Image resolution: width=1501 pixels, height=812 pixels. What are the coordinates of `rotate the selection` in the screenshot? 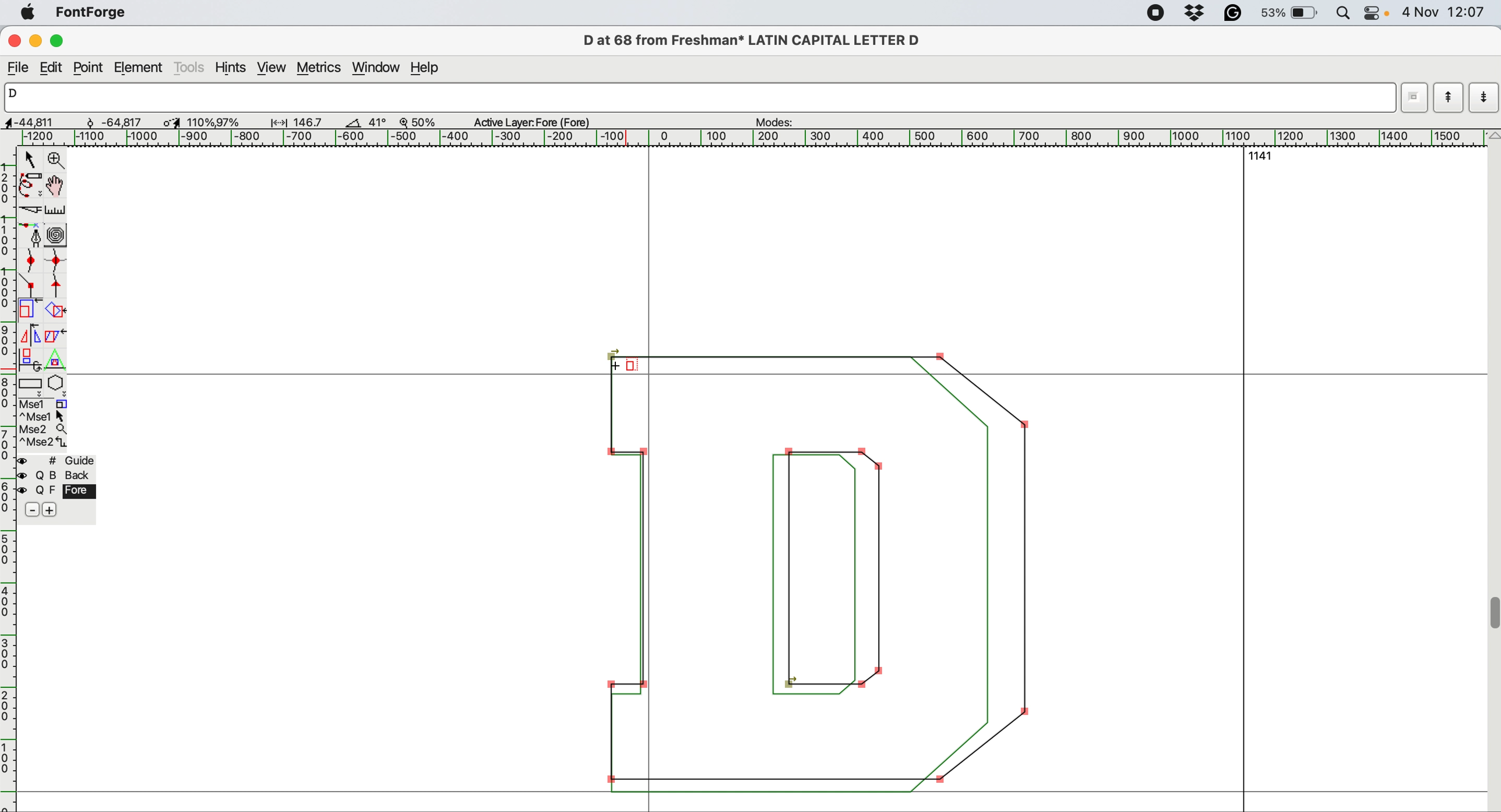 It's located at (54, 312).